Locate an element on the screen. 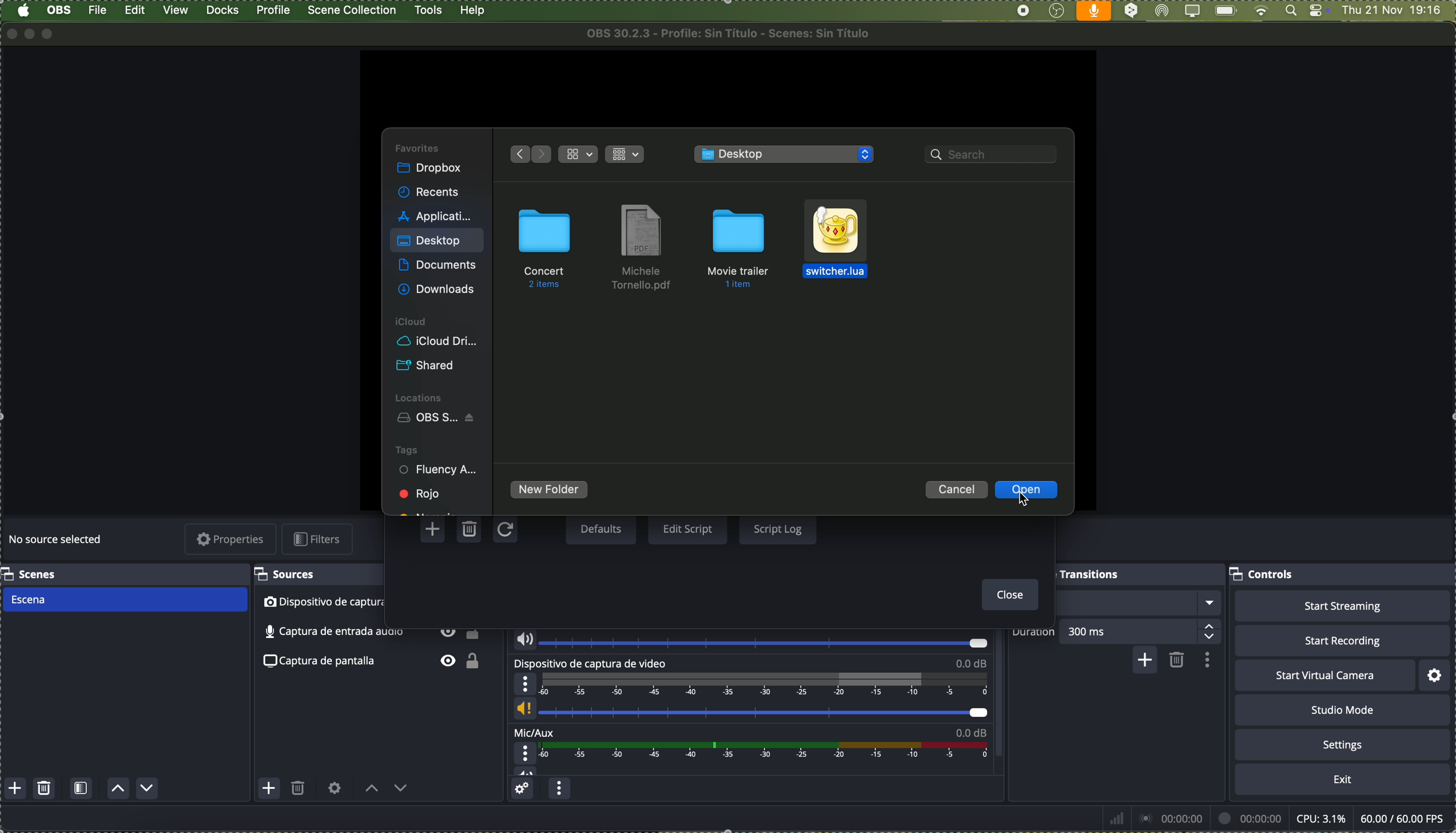 The width and height of the screenshot is (1456, 833). scene collection is located at coordinates (353, 10).